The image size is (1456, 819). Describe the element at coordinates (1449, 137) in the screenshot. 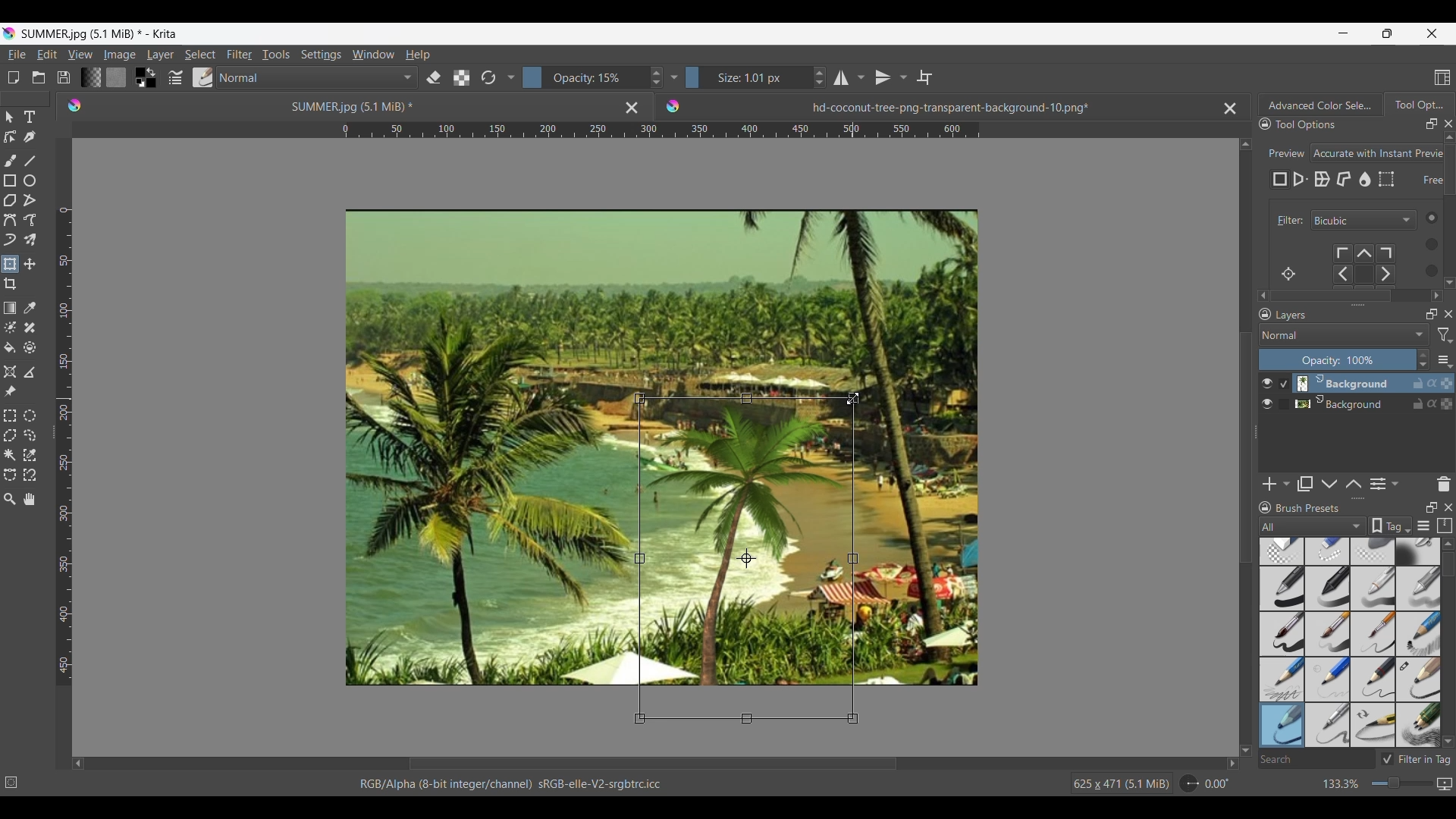

I see `Quick slide of vertical slide bar to top` at that location.